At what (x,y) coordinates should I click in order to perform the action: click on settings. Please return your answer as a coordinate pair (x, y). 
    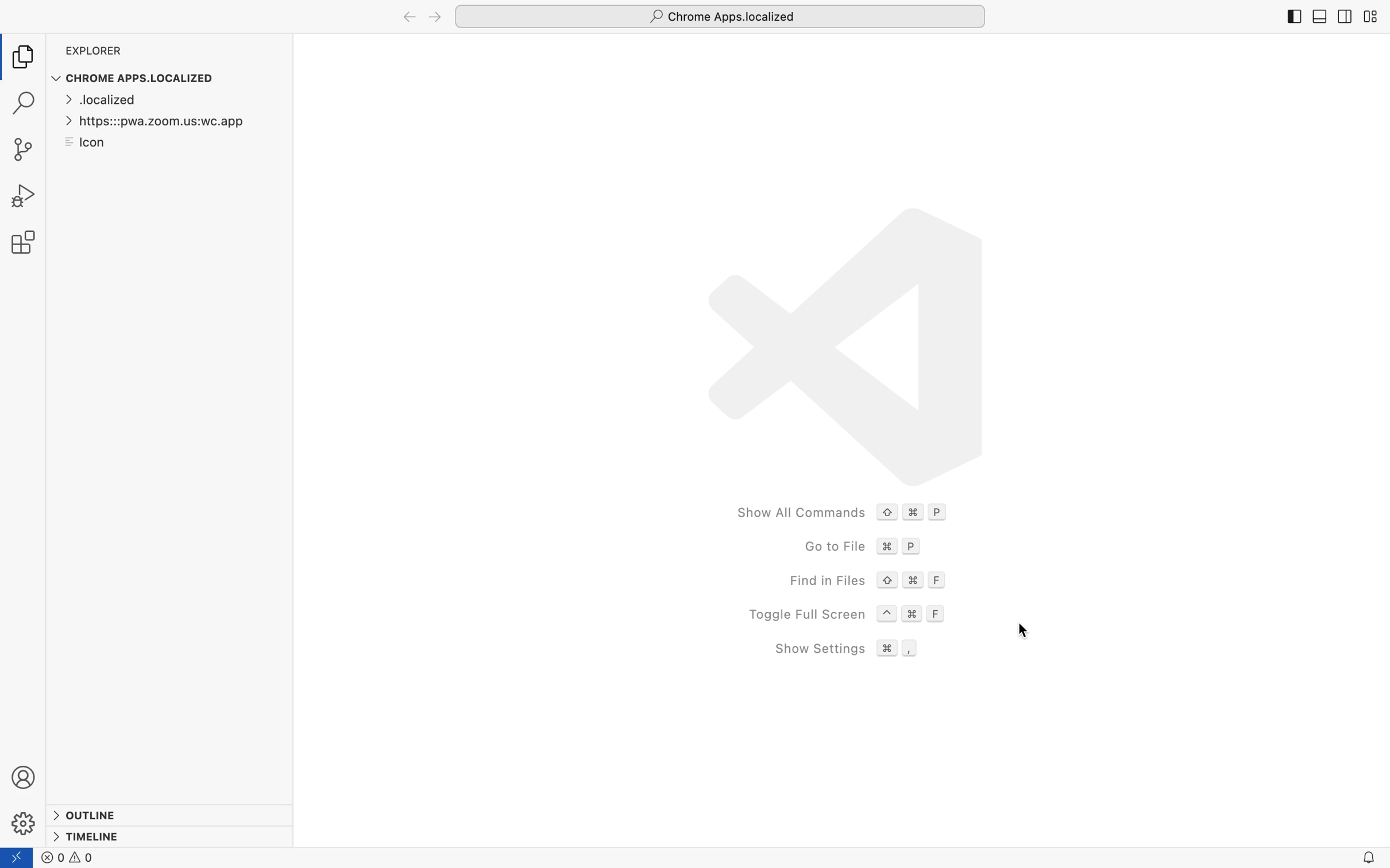
    Looking at the image, I should click on (24, 822).